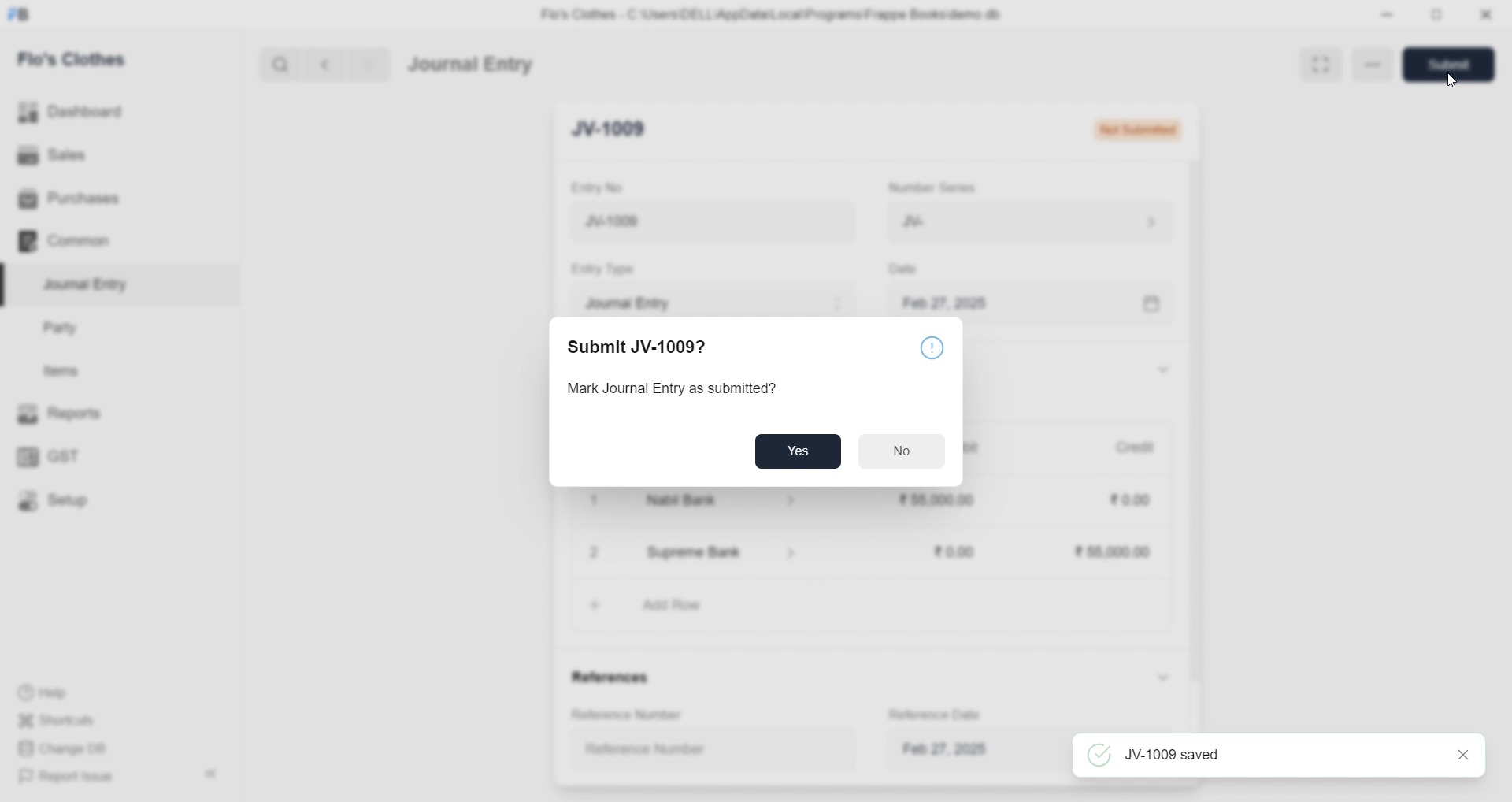  What do you see at coordinates (932, 350) in the screenshot?
I see `Notice` at bounding box center [932, 350].